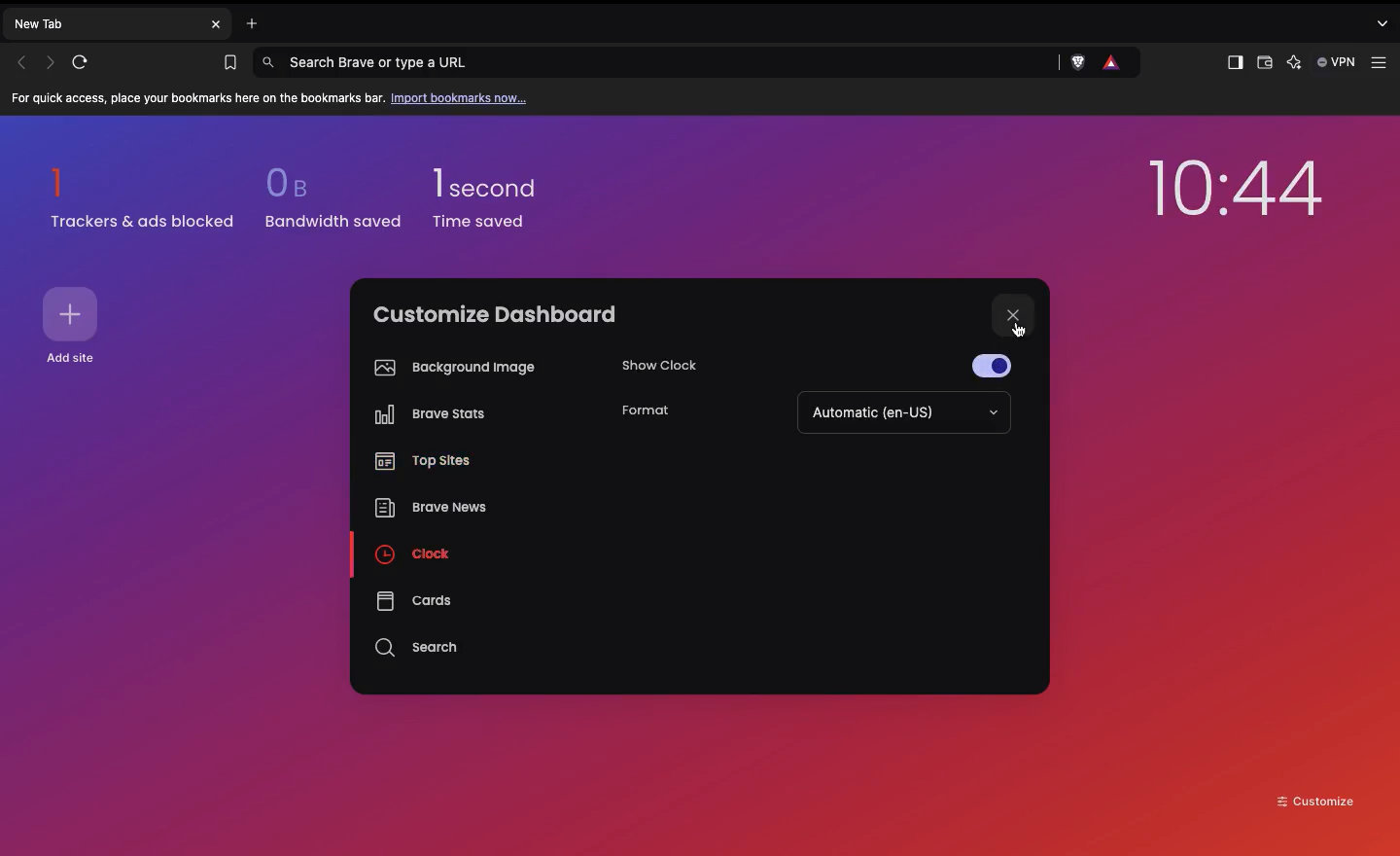 The width and height of the screenshot is (1400, 856). Describe the element at coordinates (52, 61) in the screenshot. I see `Next page` at that location.